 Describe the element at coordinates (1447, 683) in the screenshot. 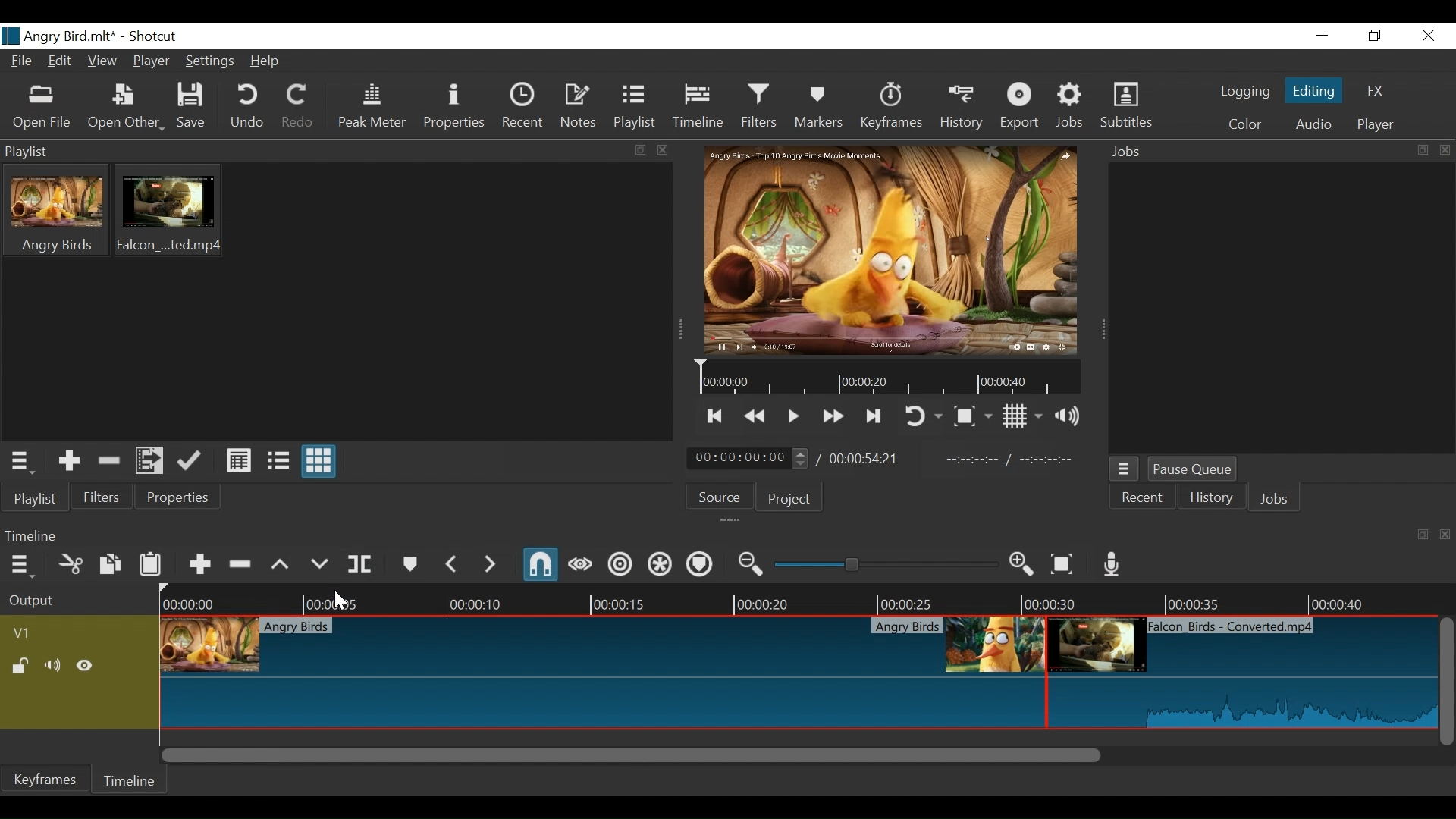

I see `Vertical Scroll bar` at that location.